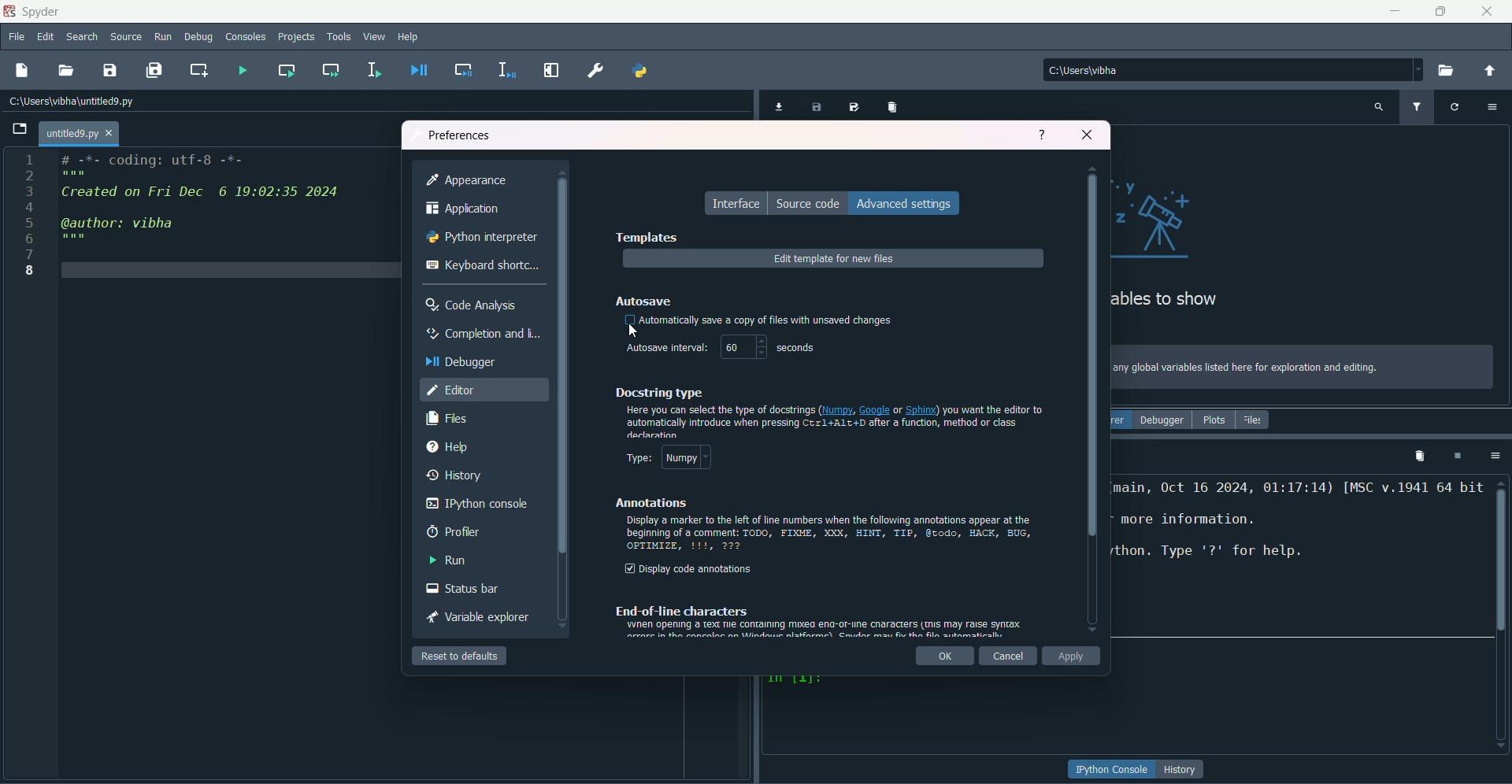 This screenshot has width=1512, height=784. Describe the element at coordinates (285, 70) in the screenshot. I see `run current cell` at that location.